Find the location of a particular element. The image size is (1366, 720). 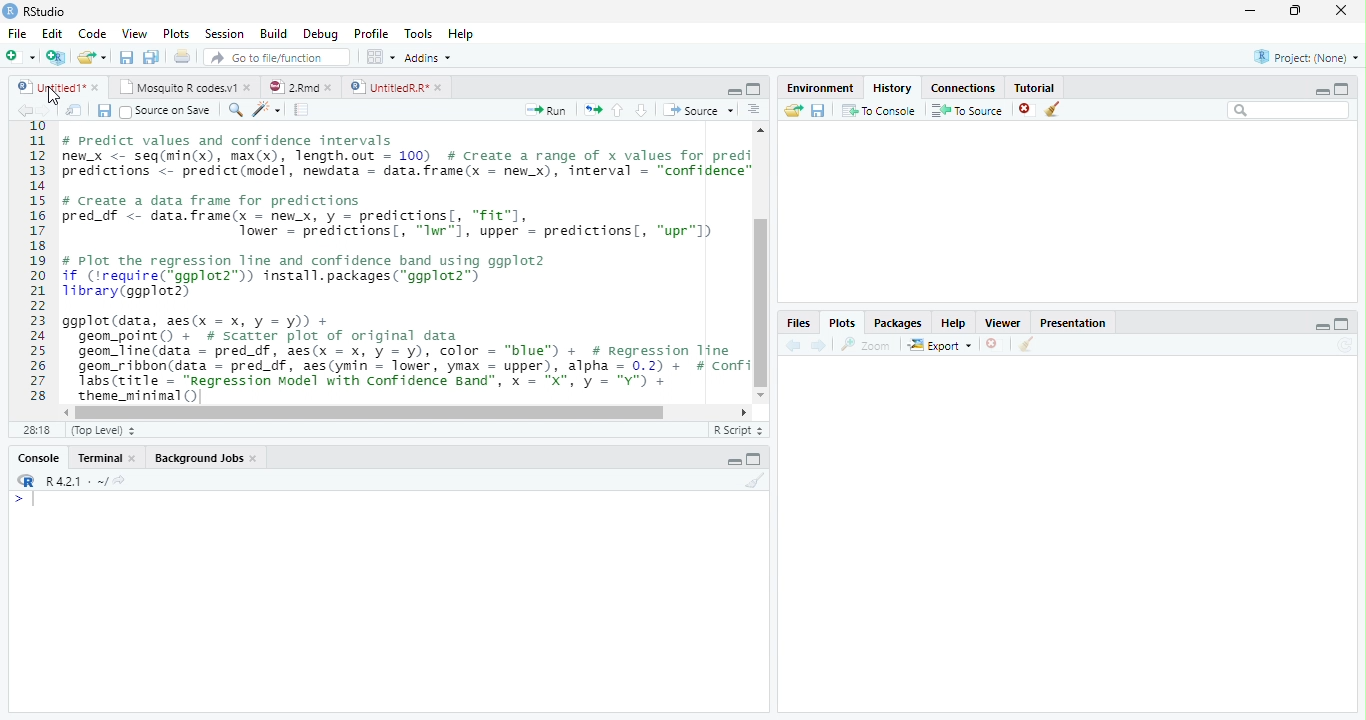

New file is located at coordinates (20, 57).